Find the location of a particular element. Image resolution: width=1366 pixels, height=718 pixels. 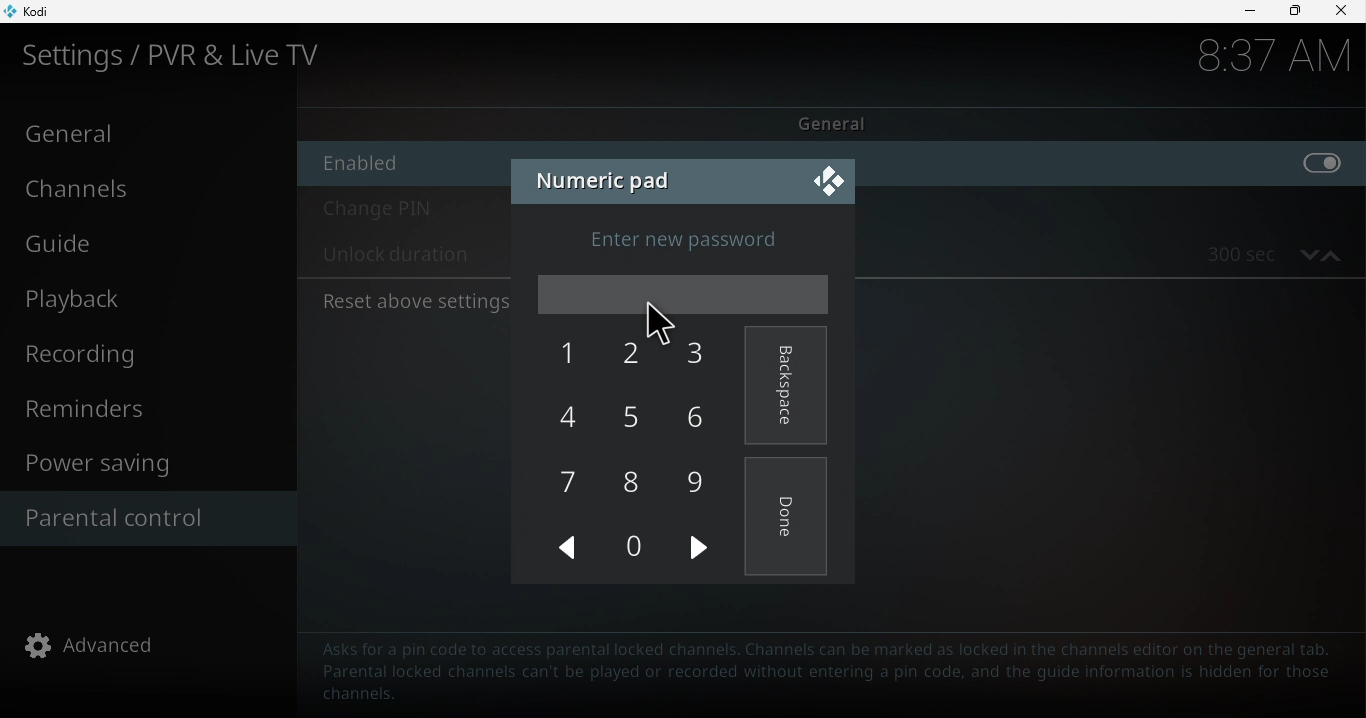

Enter password is located at coordinates (689, 297).